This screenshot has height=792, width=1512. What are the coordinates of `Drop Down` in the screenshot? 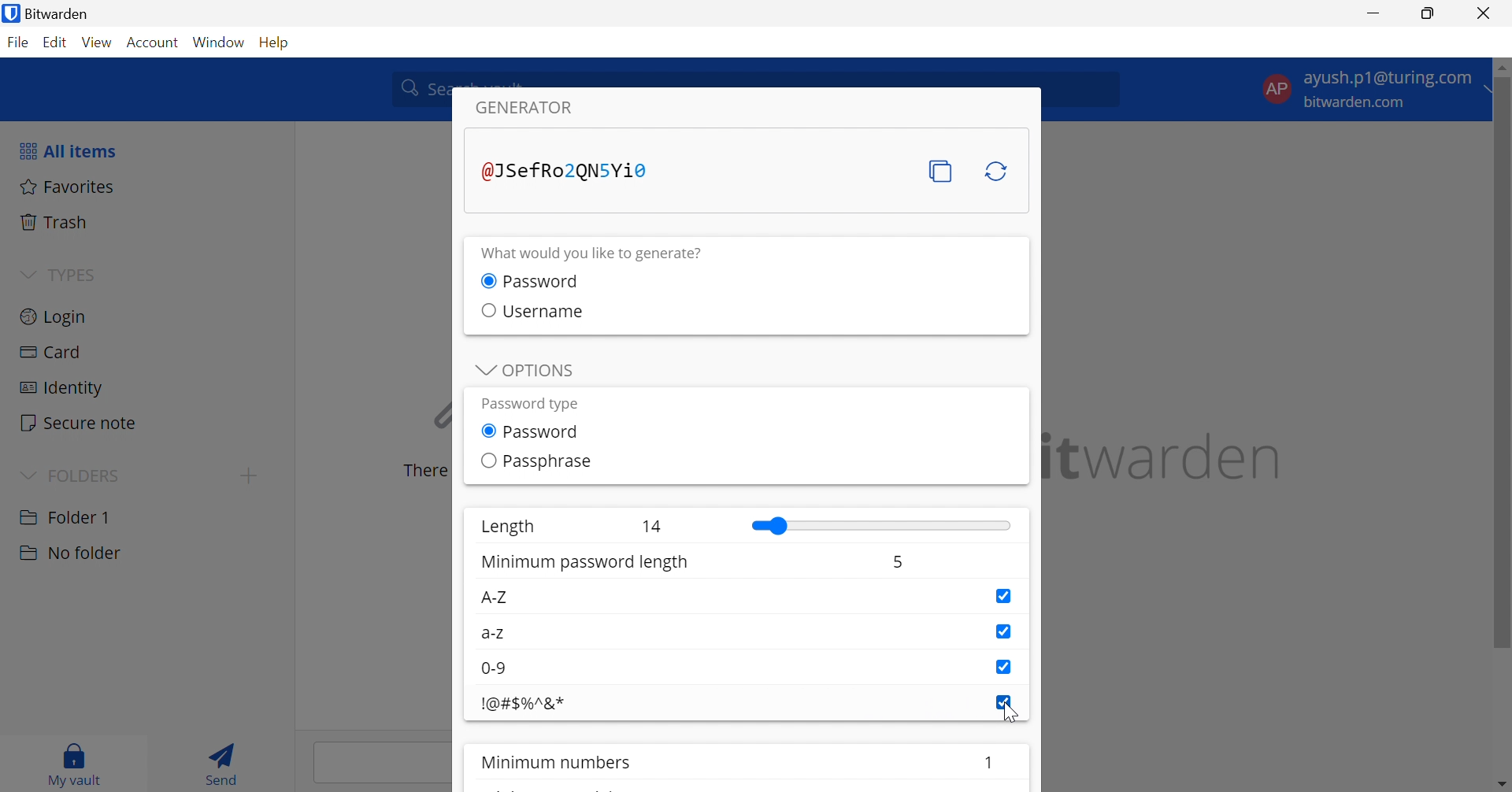 It's located at (481, 371).